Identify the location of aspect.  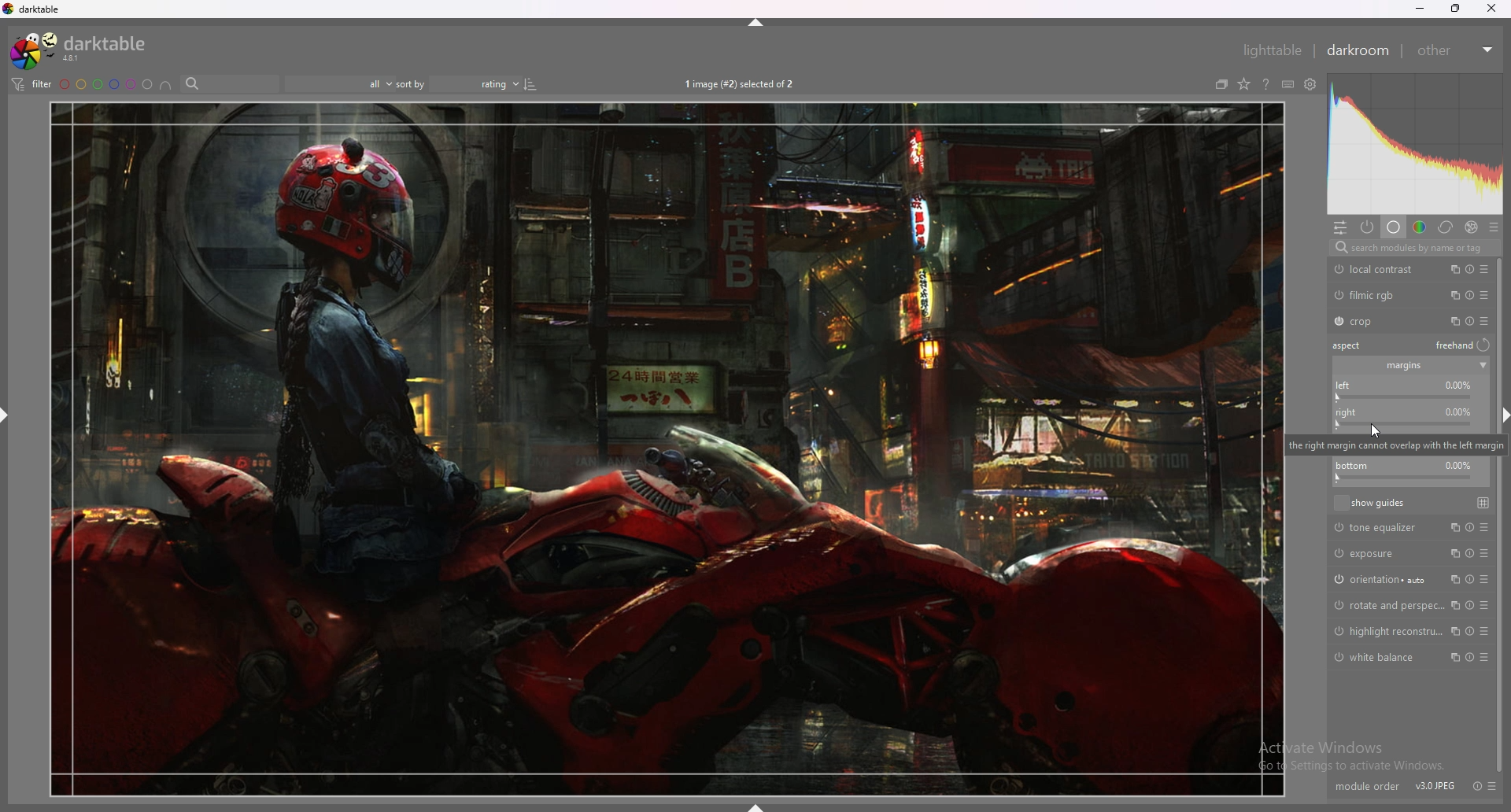
(1351, 345).